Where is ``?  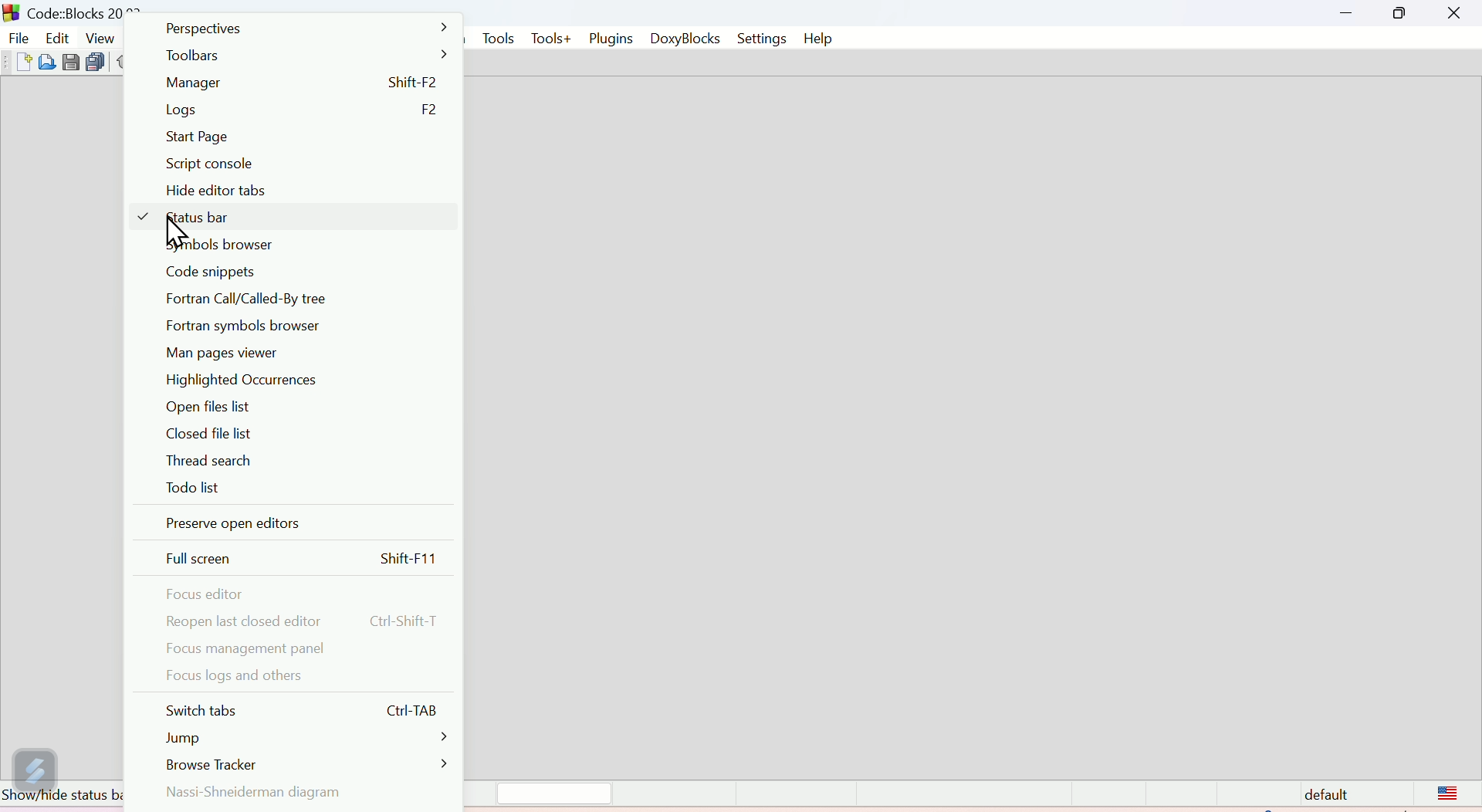  is located at coordinates (69, 64).